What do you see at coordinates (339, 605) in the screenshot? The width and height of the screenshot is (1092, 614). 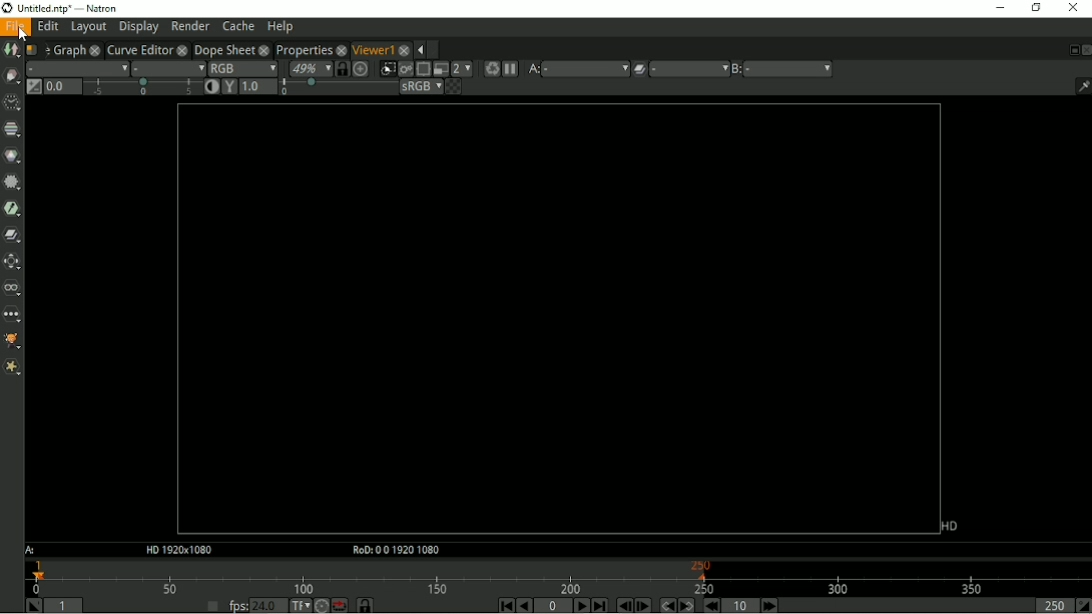 I see `Behaviour` at bounding box center [339, 605].